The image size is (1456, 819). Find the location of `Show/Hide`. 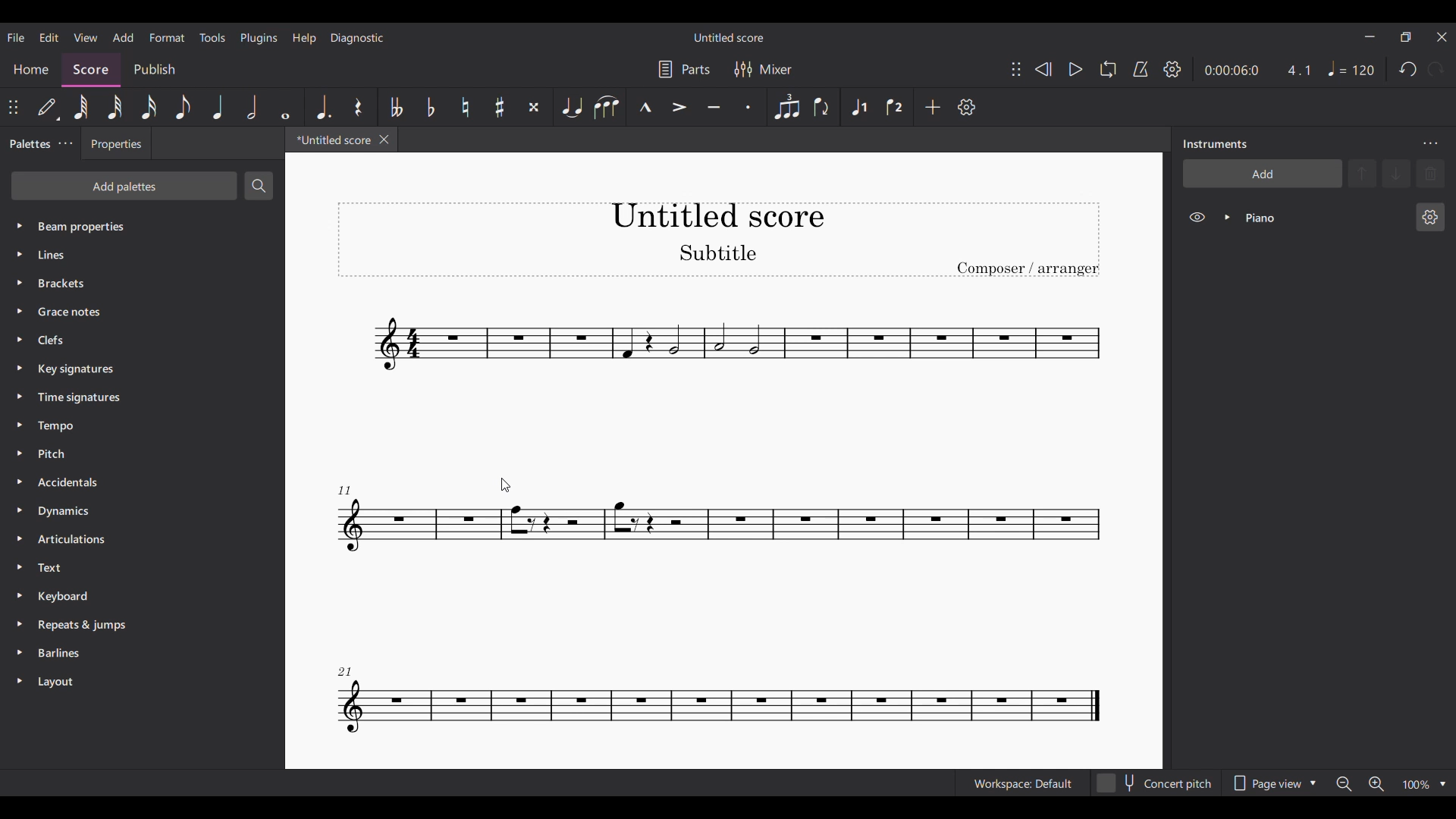

Show/Hide is located at coordinates (1197, 218).